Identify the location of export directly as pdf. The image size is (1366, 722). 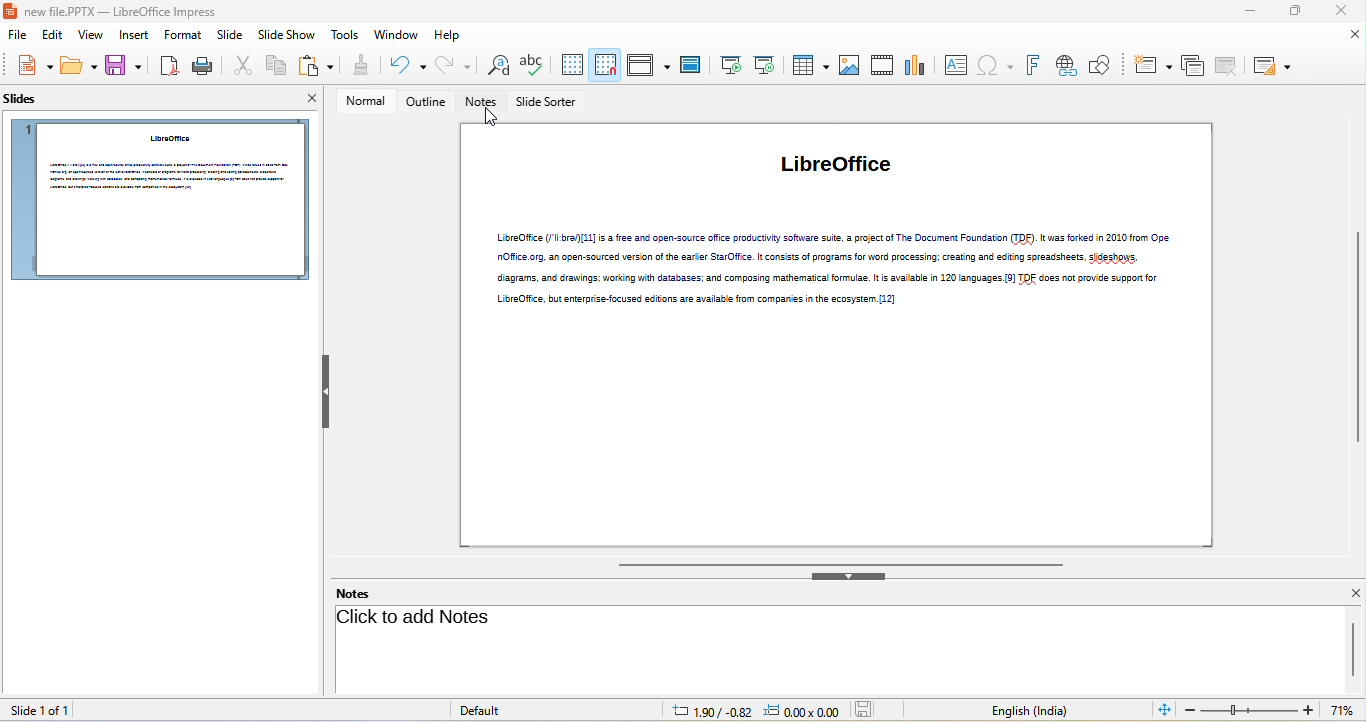
(167, 66).